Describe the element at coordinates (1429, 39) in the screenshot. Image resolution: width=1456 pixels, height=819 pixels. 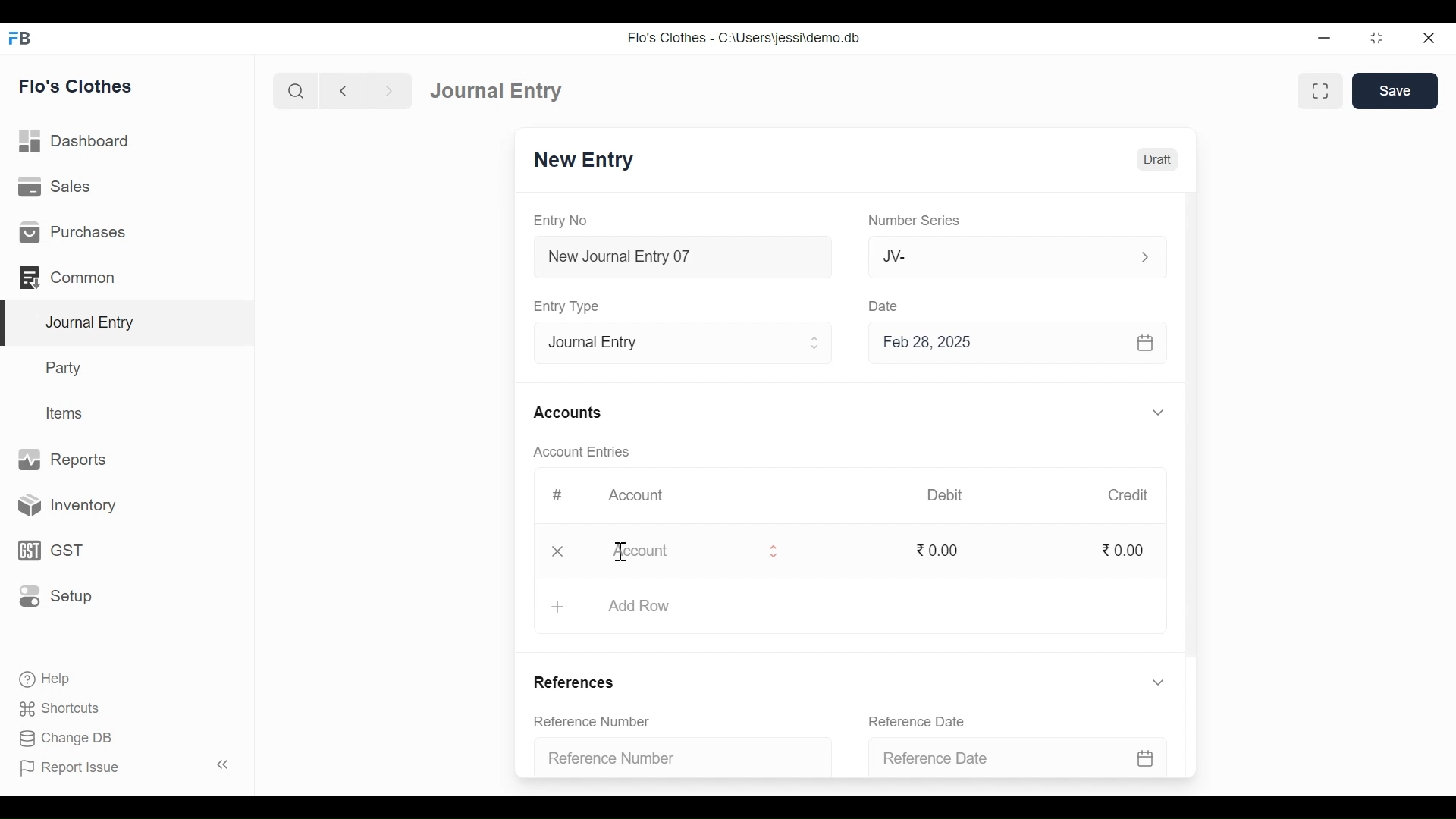
I see `Close` at that location.